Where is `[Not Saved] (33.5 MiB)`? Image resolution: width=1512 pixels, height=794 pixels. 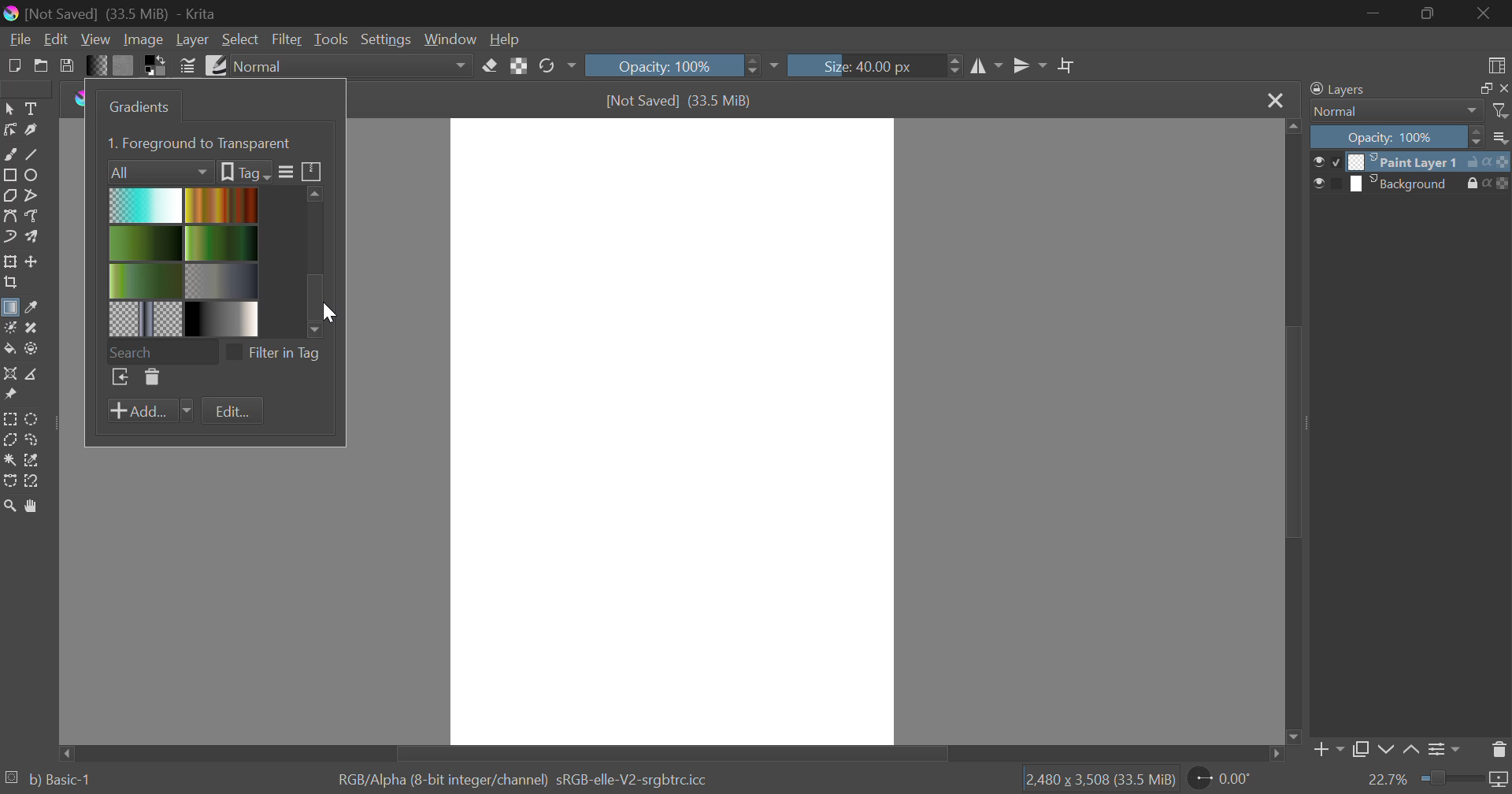 [Not Saved] (33.5 MiB) is located at coordinates (680, 101).